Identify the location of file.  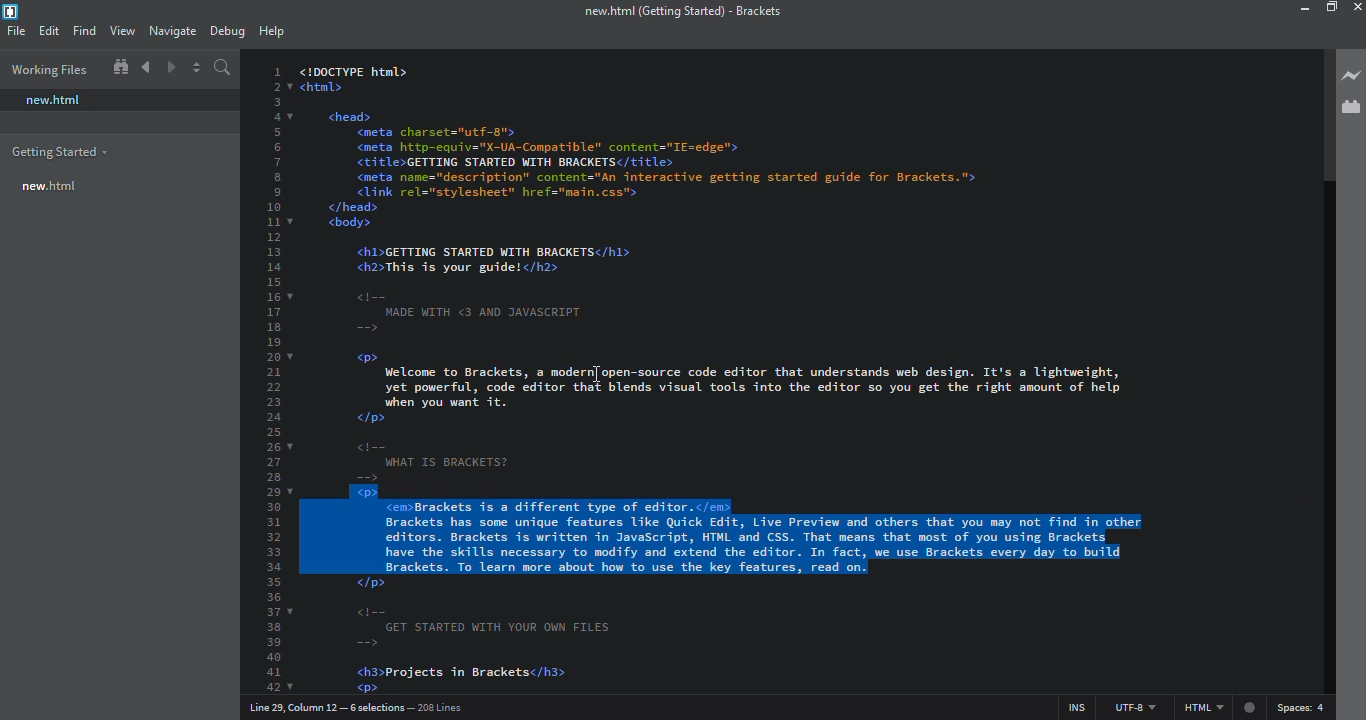
(16, 30).